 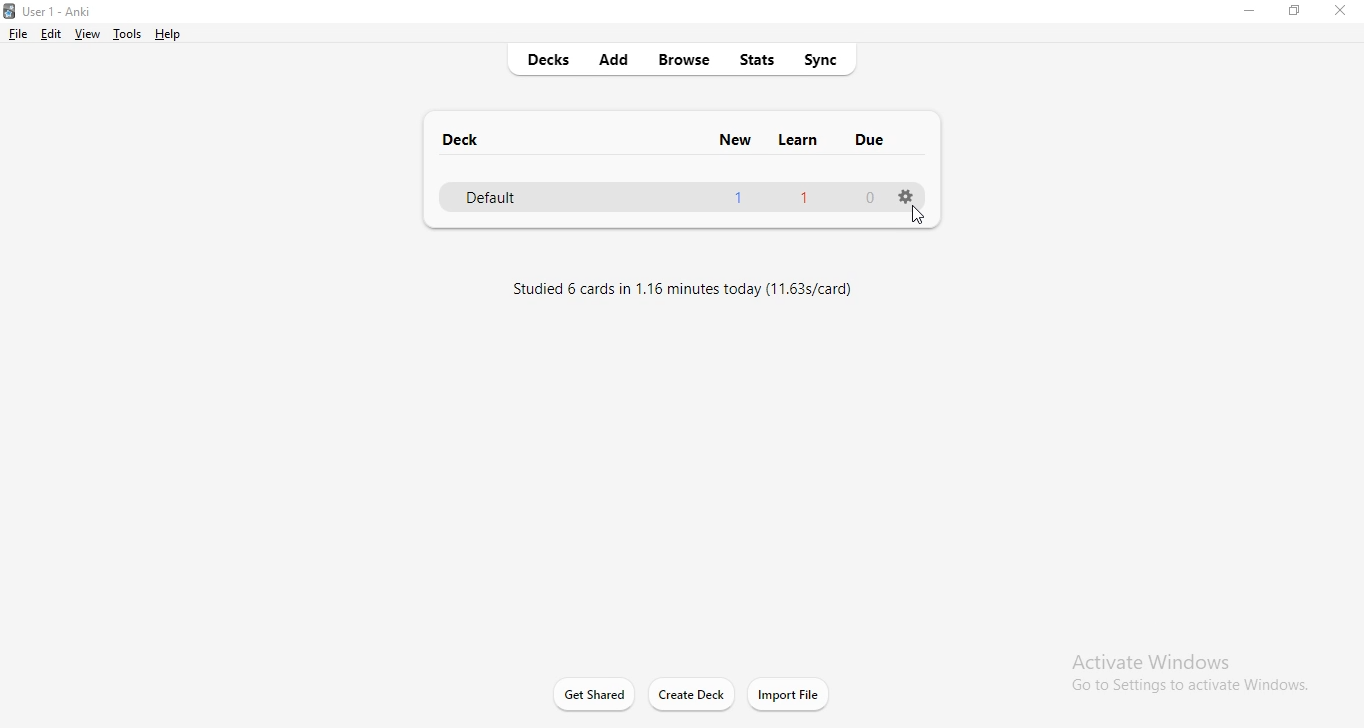 What do you see at coordinates (685, 62) in the screenshot?
I see `browse` at bounding box center [685, 62].